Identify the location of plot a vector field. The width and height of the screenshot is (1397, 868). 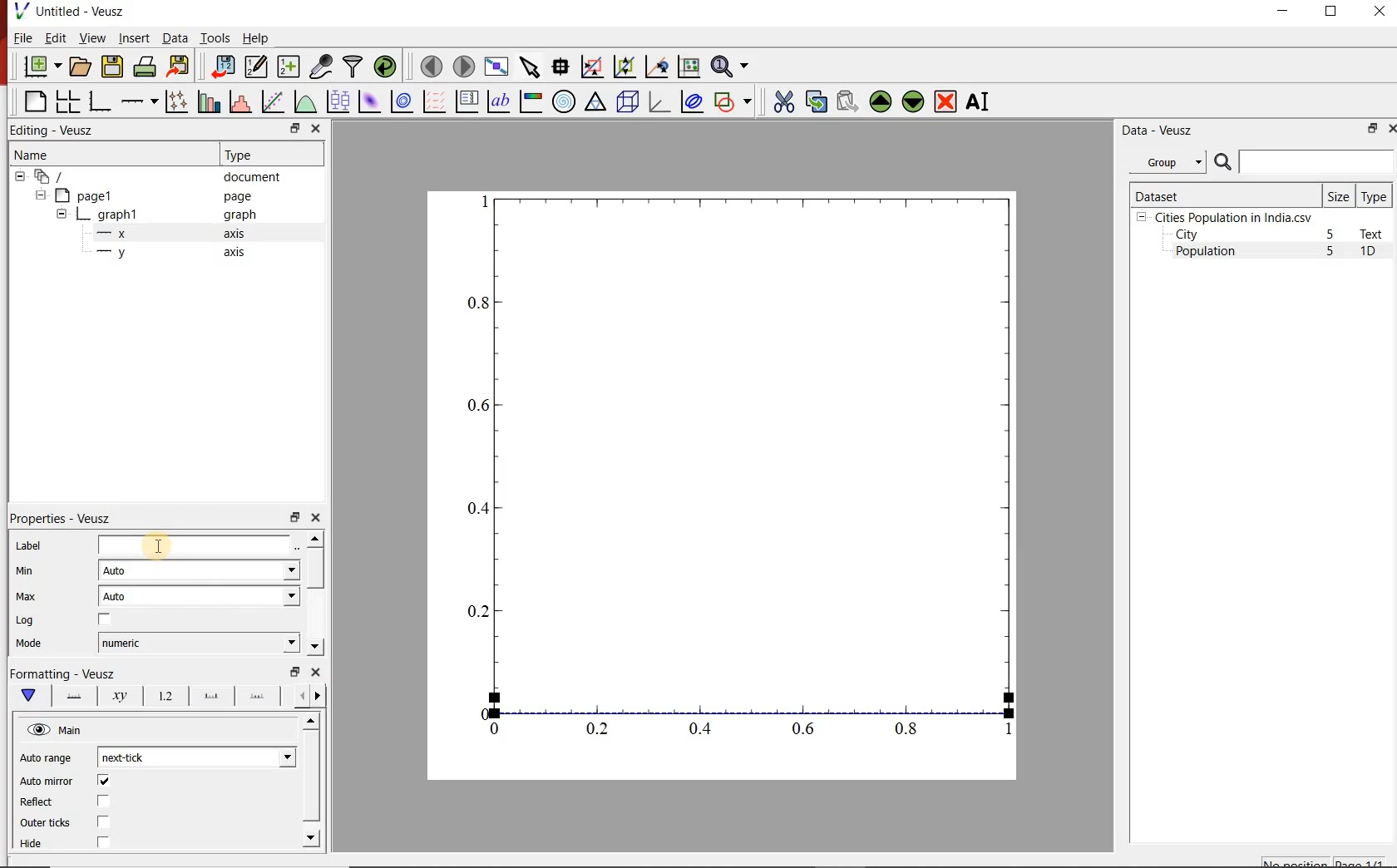
(432, 101).